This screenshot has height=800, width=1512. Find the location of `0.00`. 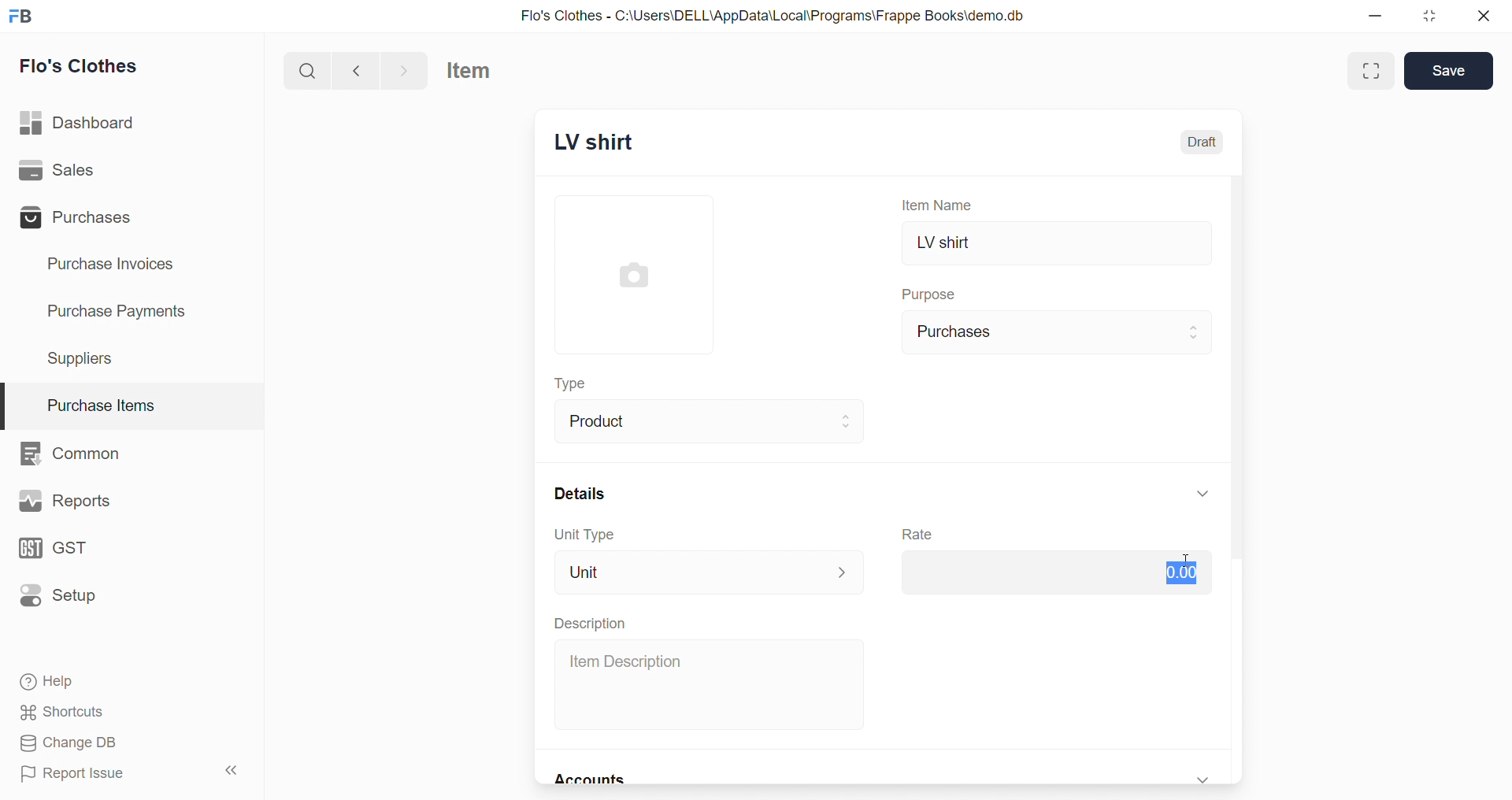

0.00 is located at coordinates (1051, 576).